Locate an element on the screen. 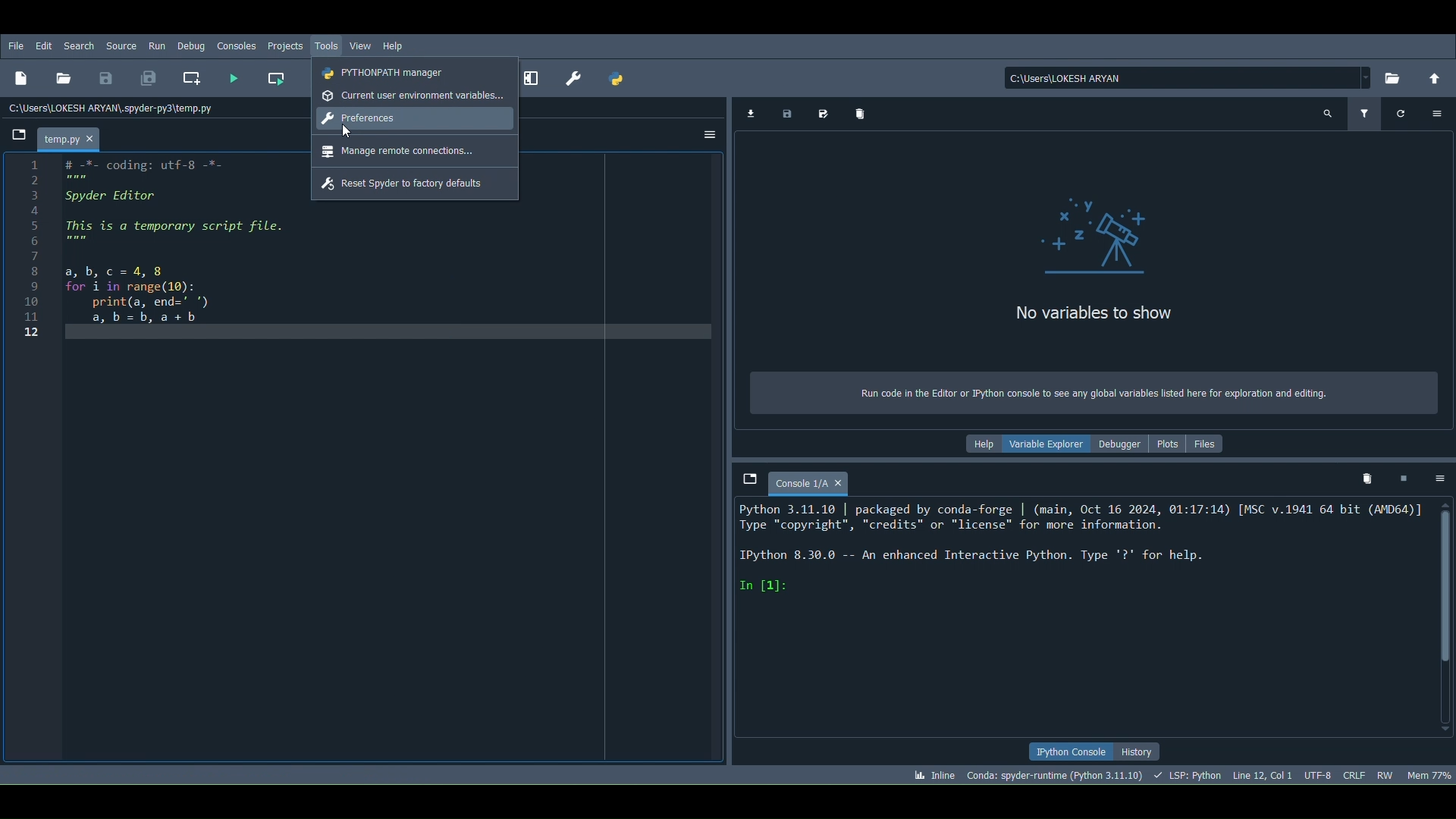  Variable explorer is located at coordinates (1043, 443).